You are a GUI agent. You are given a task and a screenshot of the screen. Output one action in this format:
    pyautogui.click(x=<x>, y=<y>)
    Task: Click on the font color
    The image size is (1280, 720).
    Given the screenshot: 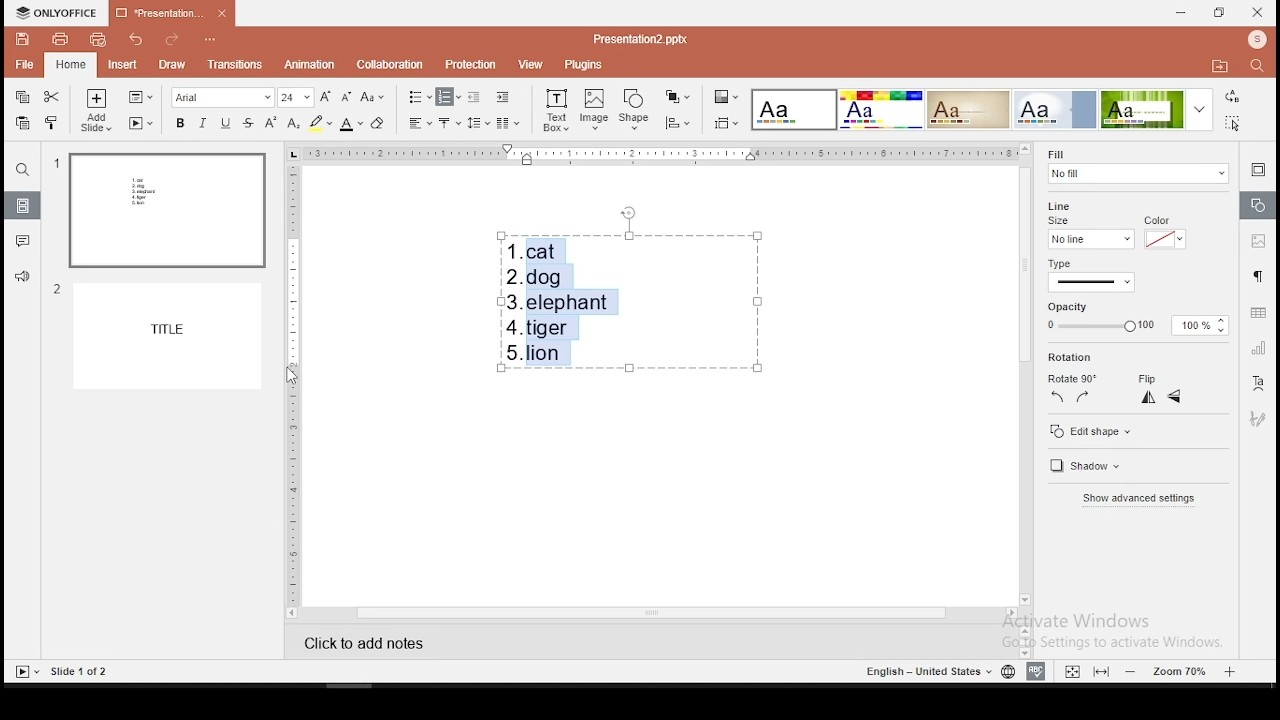 What is the action you would take?
    pyautogui.click(x=350, y=123)
    